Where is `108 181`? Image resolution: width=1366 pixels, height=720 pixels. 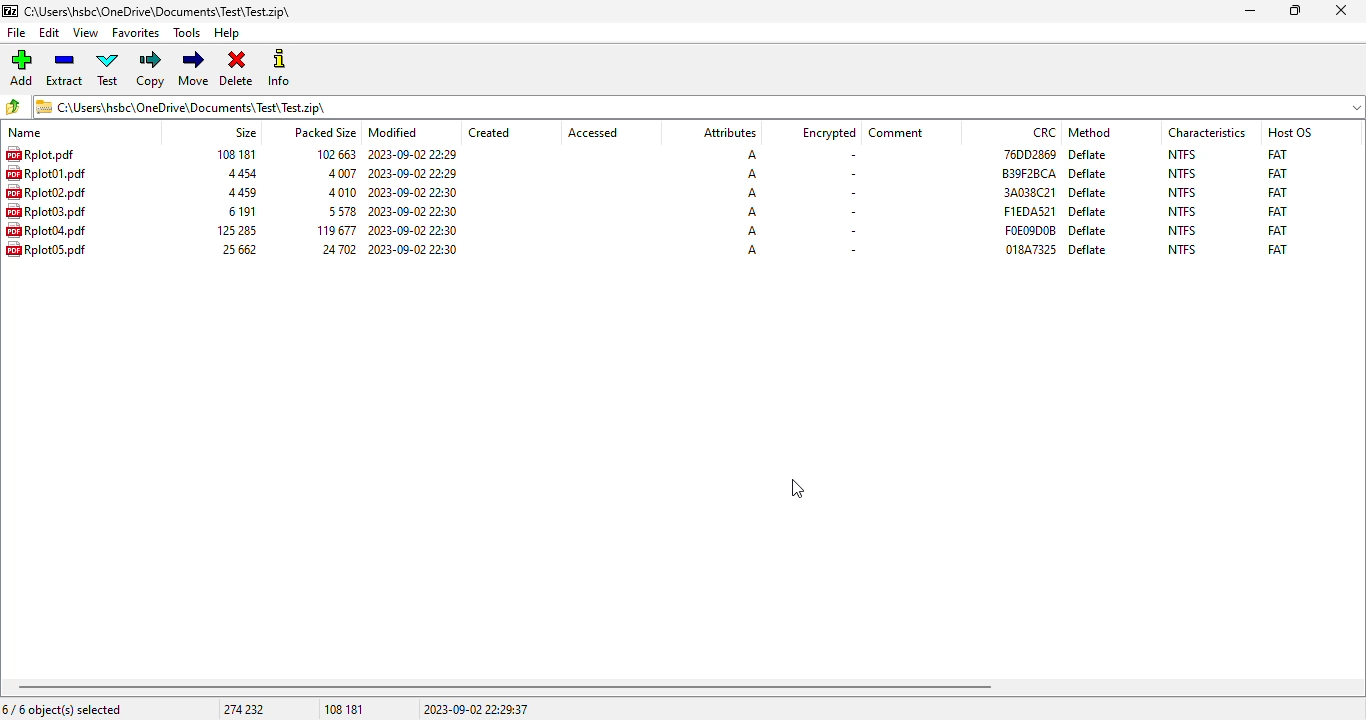 108 181 is located at coordinates (344, 710).